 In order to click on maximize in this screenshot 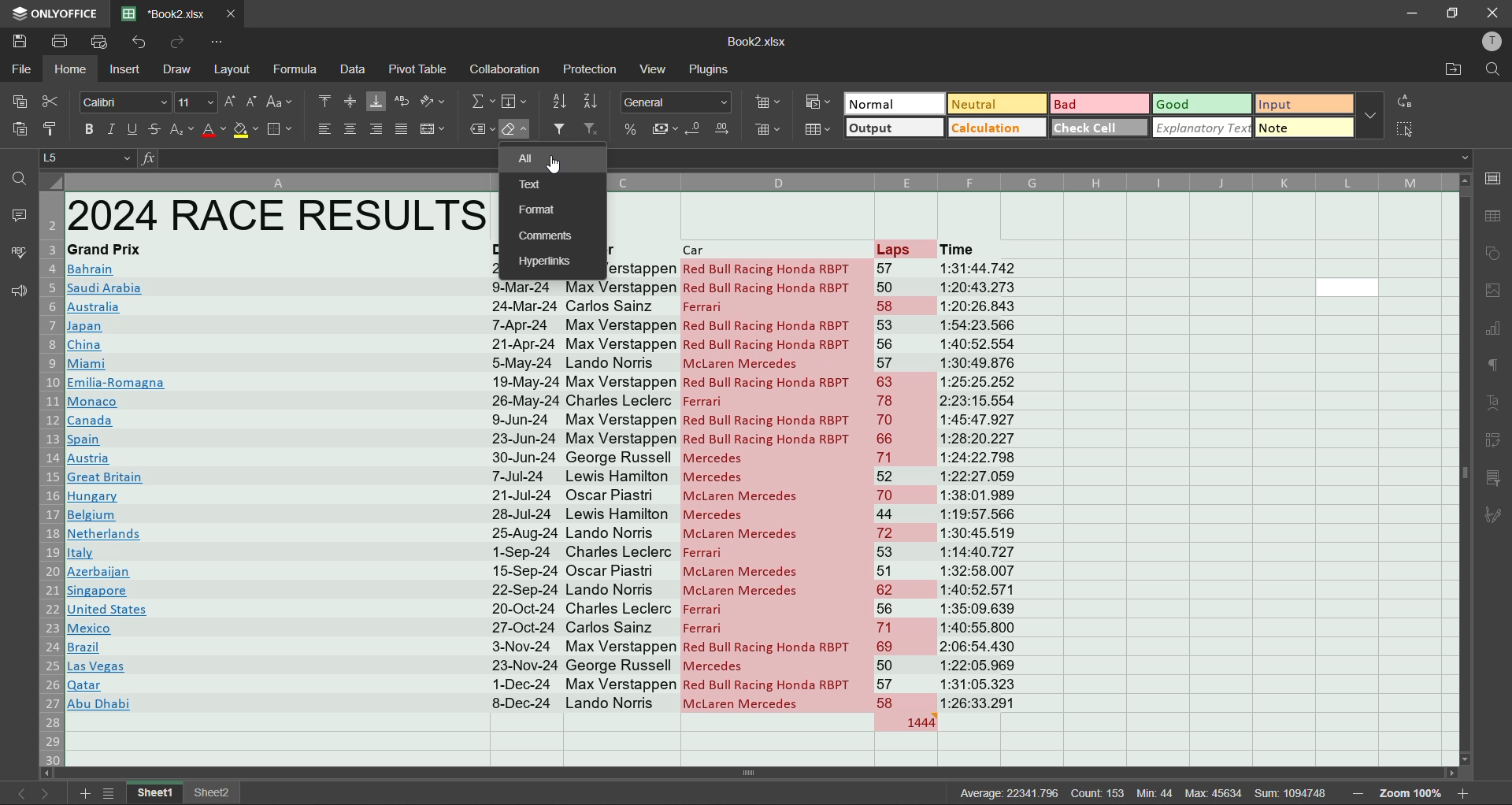, I will do `click(1451, 13)`.